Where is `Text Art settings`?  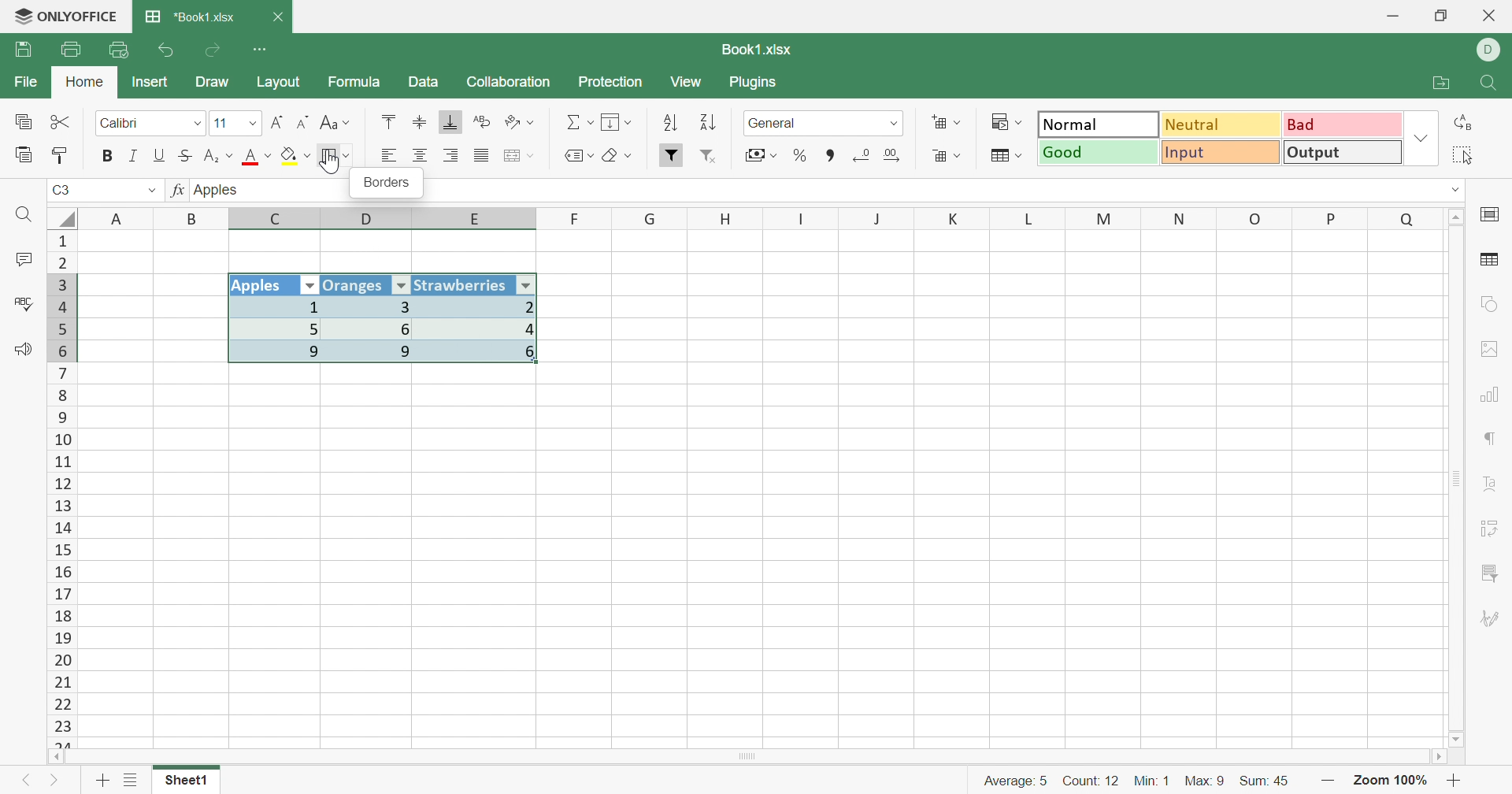 Text Art settings is located at coordinates (1494, 485).